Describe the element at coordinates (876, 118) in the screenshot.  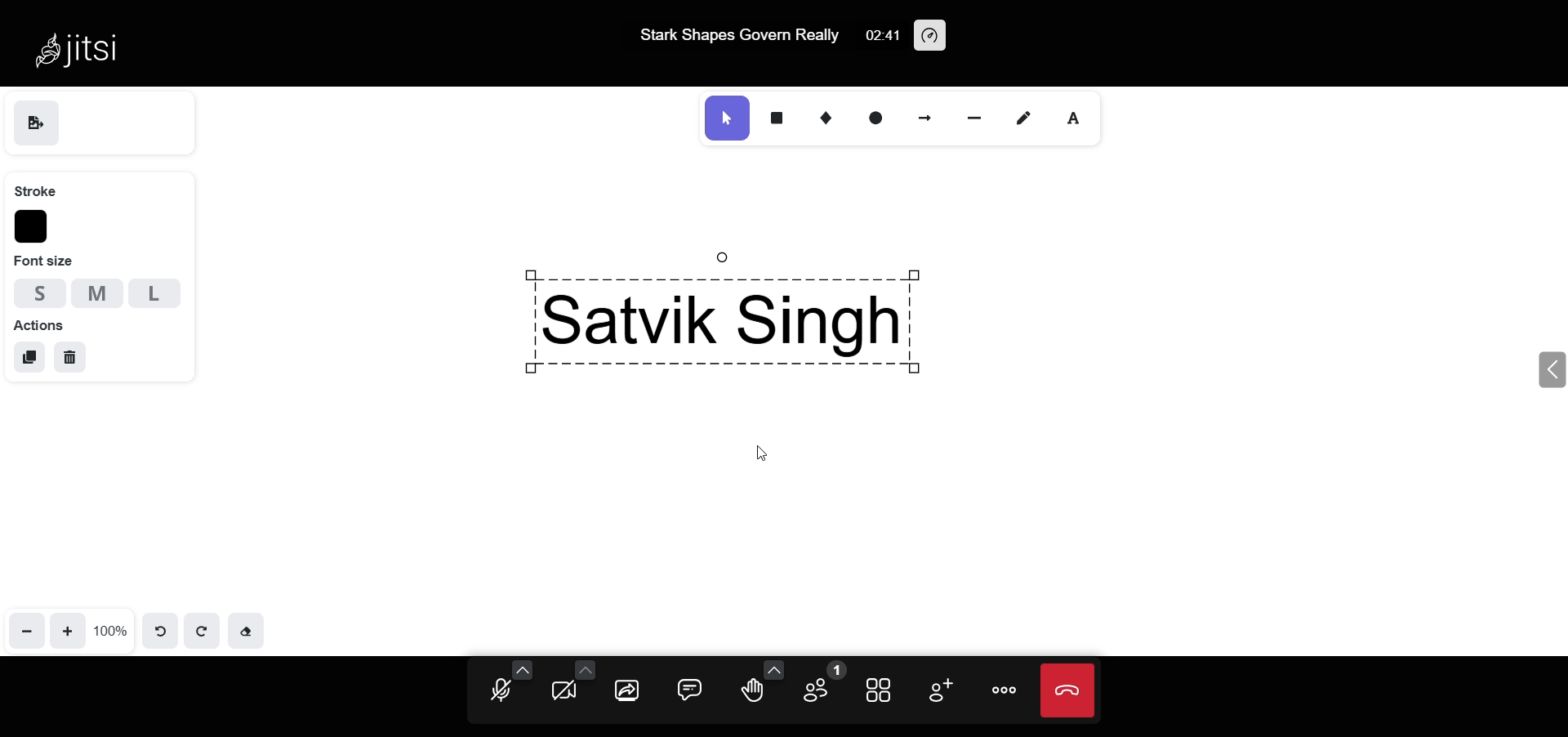
I see `ellipse` at that location.